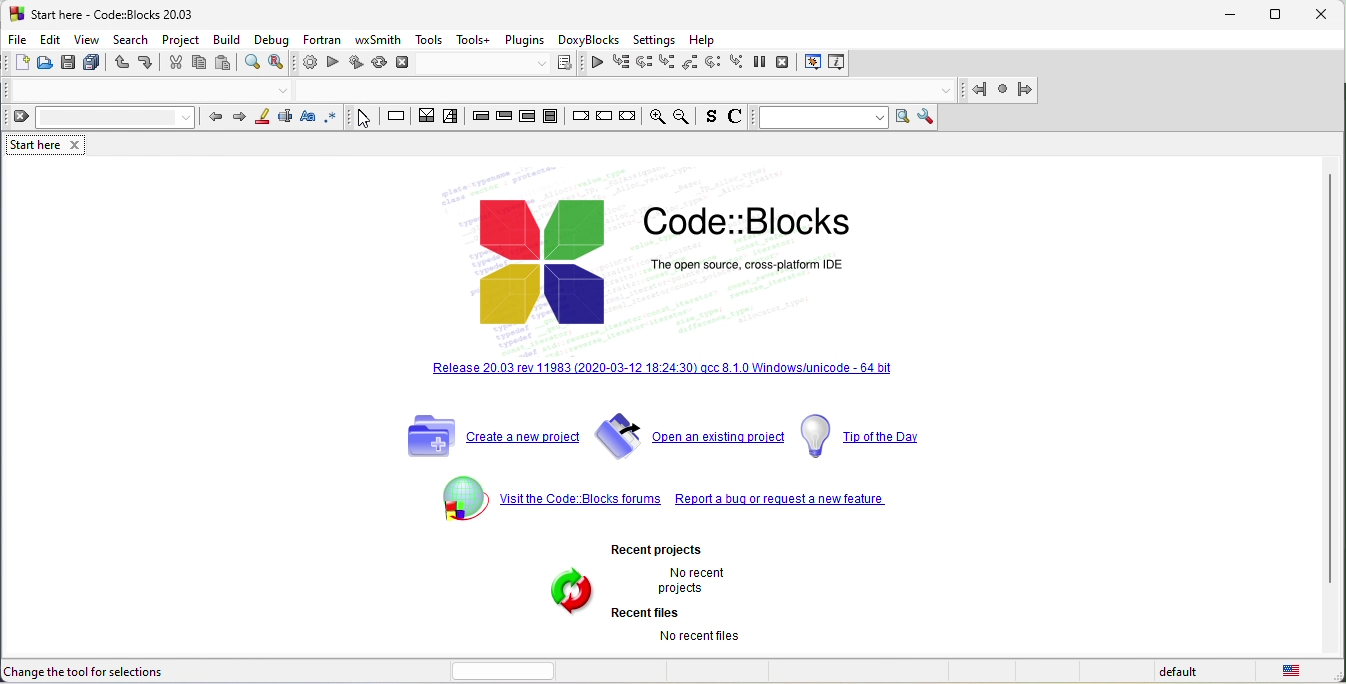 This screenshot has height=684, width=1346. I want to click on minimize, so click(1233, 16).